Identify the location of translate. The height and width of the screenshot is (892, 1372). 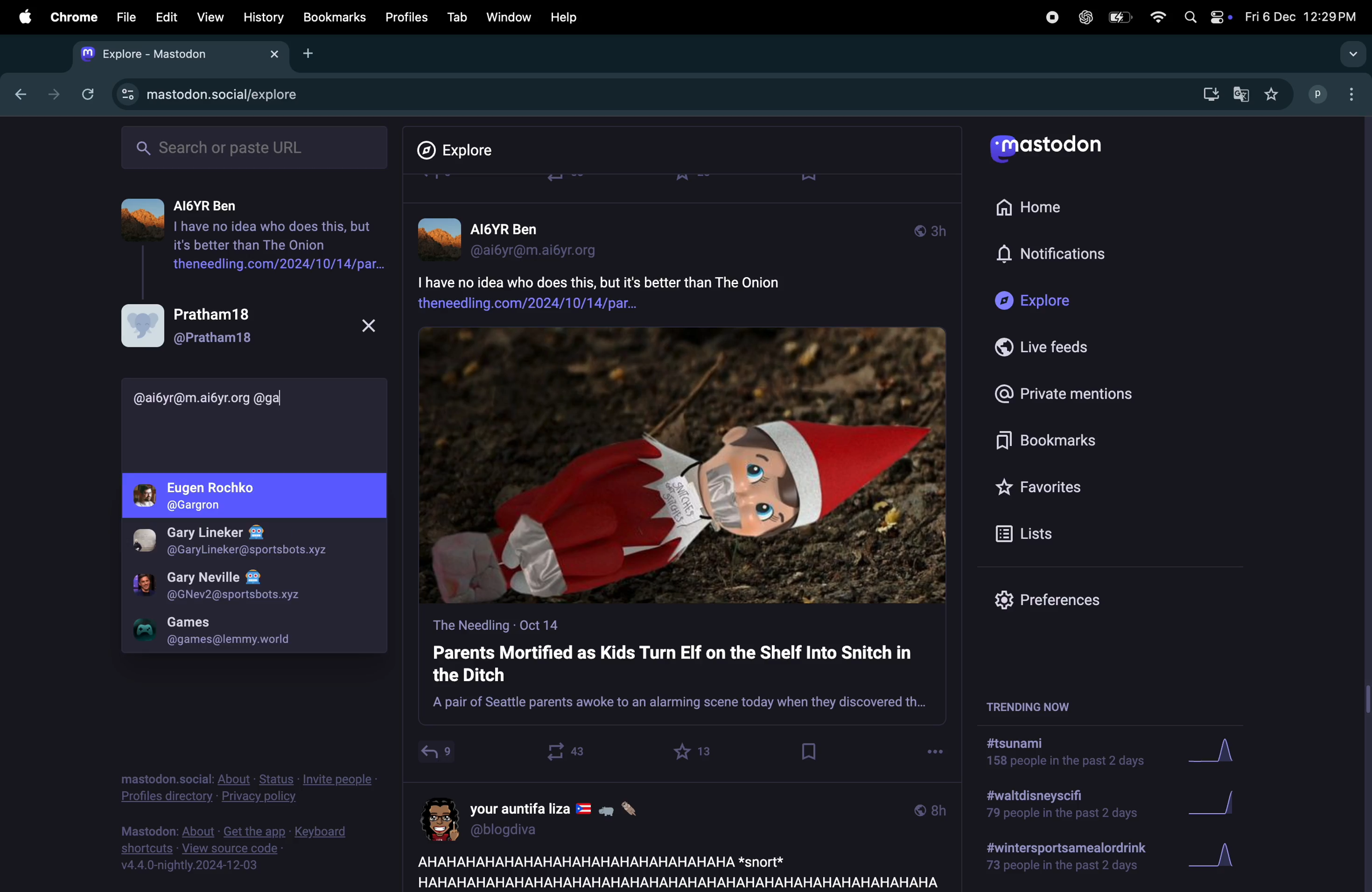
(1241, 96).